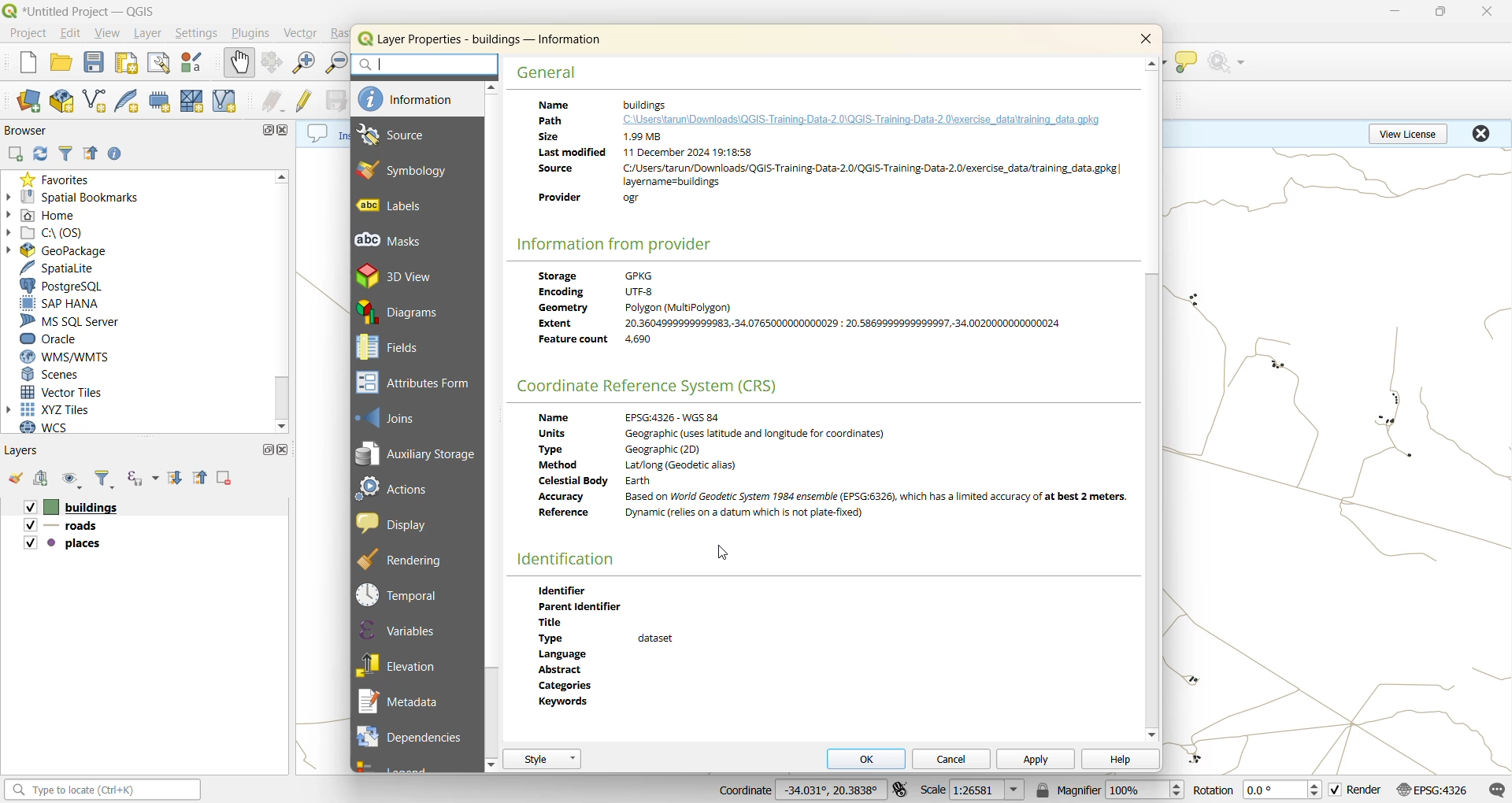 Image resolution: width=1512 pixels, height=803 pixels. Describe the element at coordinates (28, 450) in the screenshot. I see `layers` at that location.